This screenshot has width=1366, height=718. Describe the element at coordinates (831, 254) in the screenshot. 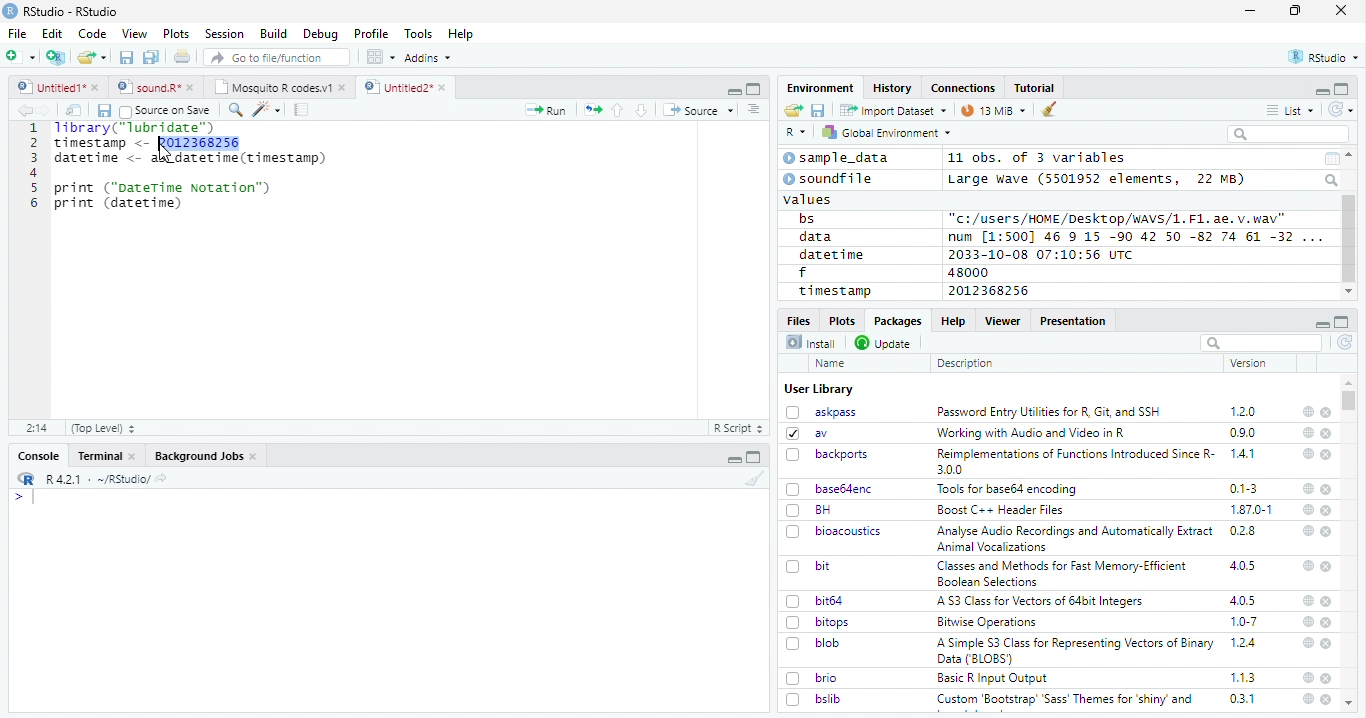

I see `datetime` at that location.